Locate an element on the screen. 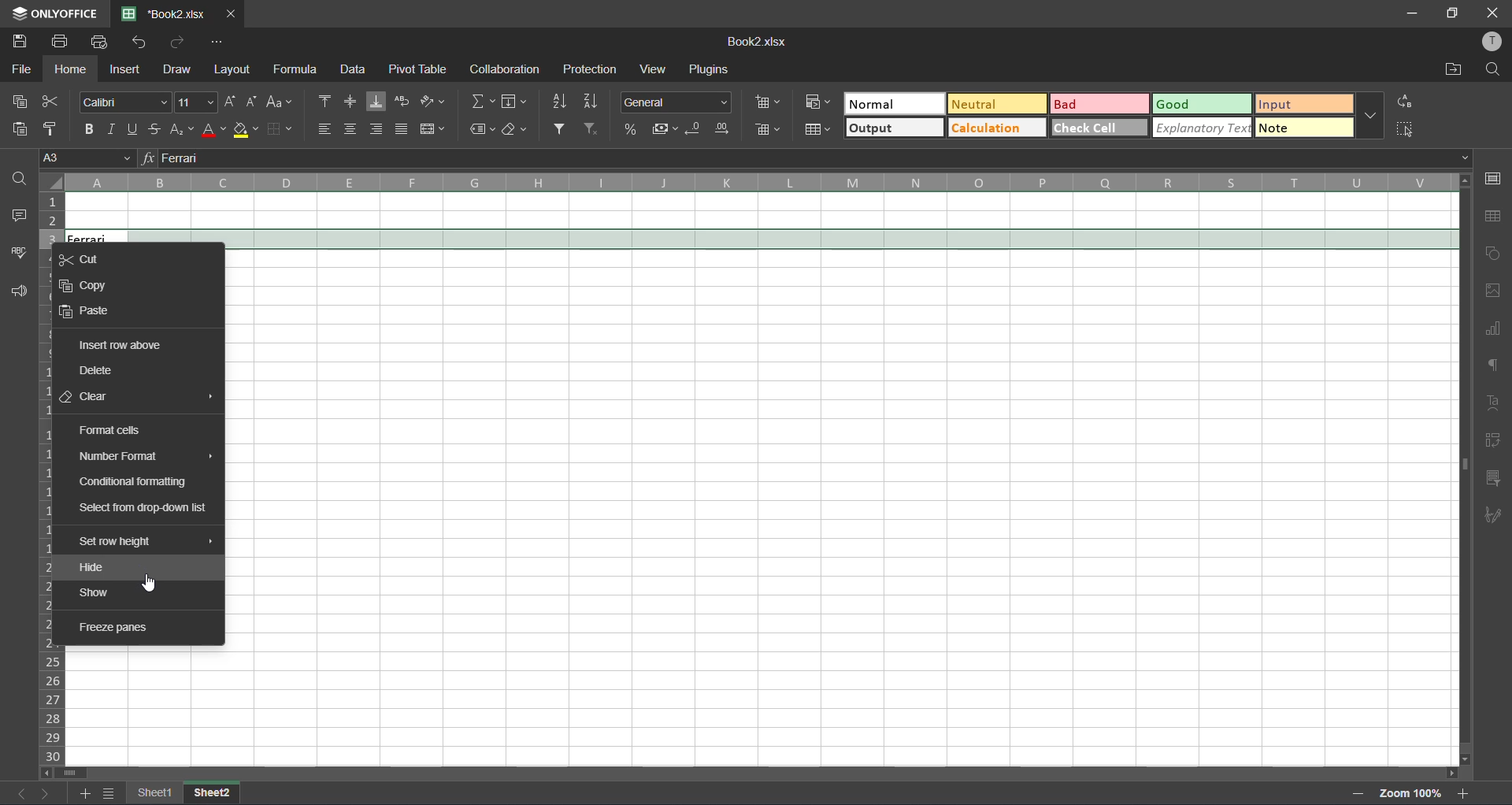  copy is located at coordinates (16, 103).